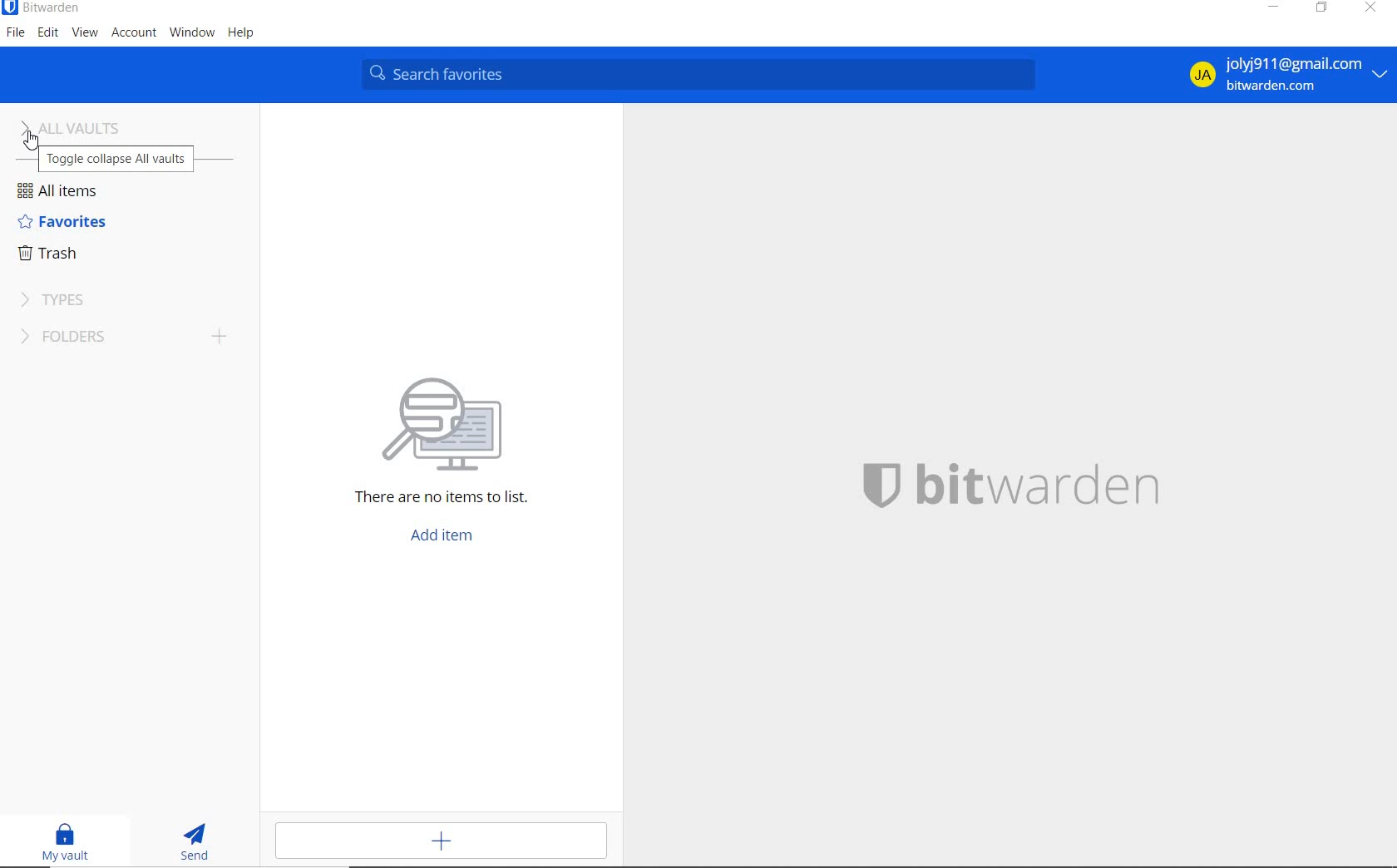 The height and width of the screenshot is (868, 1397). I want to click on There are no items to list, so click(424, 501).